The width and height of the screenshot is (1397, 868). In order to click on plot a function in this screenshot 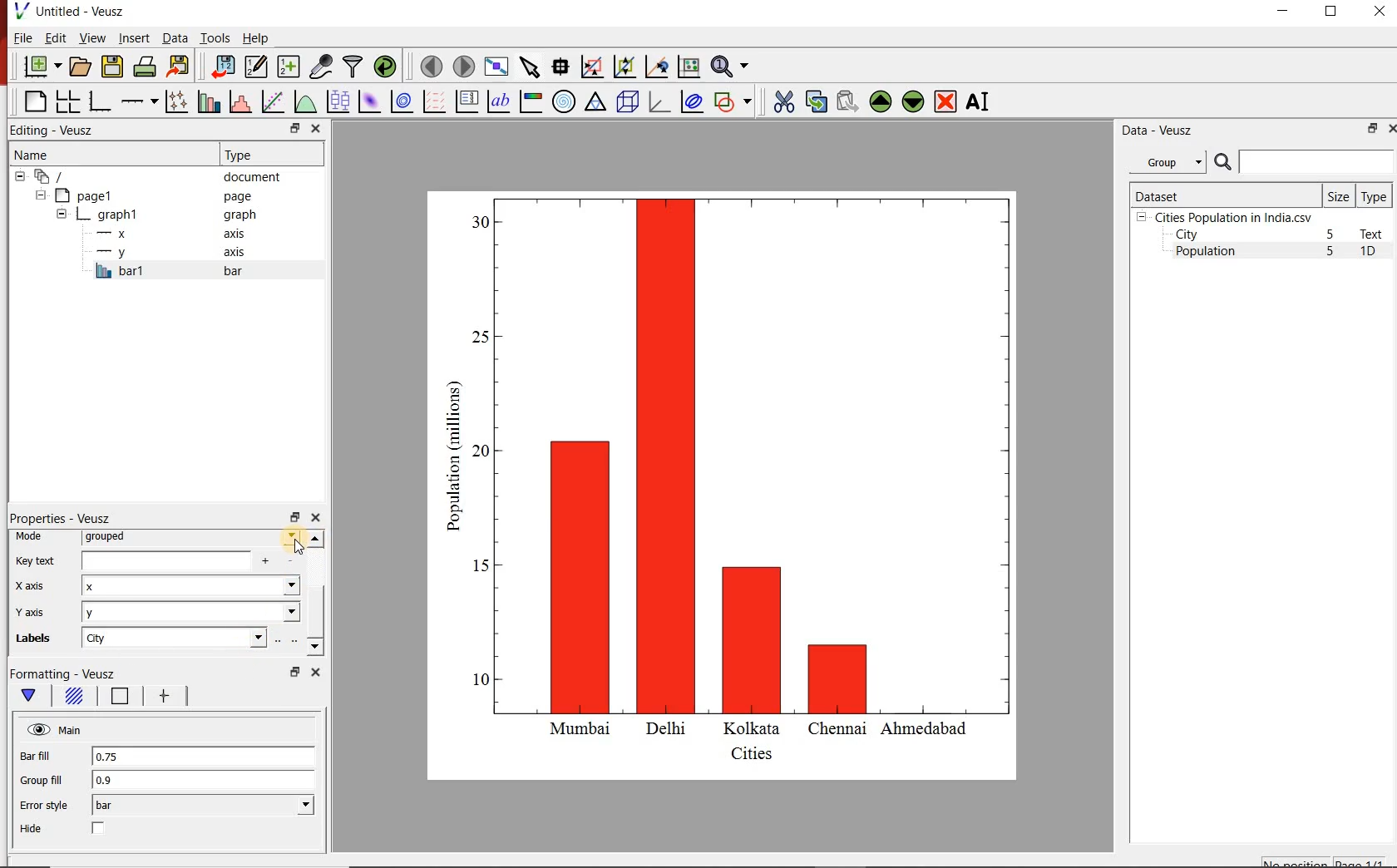, I will do `click(304, 101)`.